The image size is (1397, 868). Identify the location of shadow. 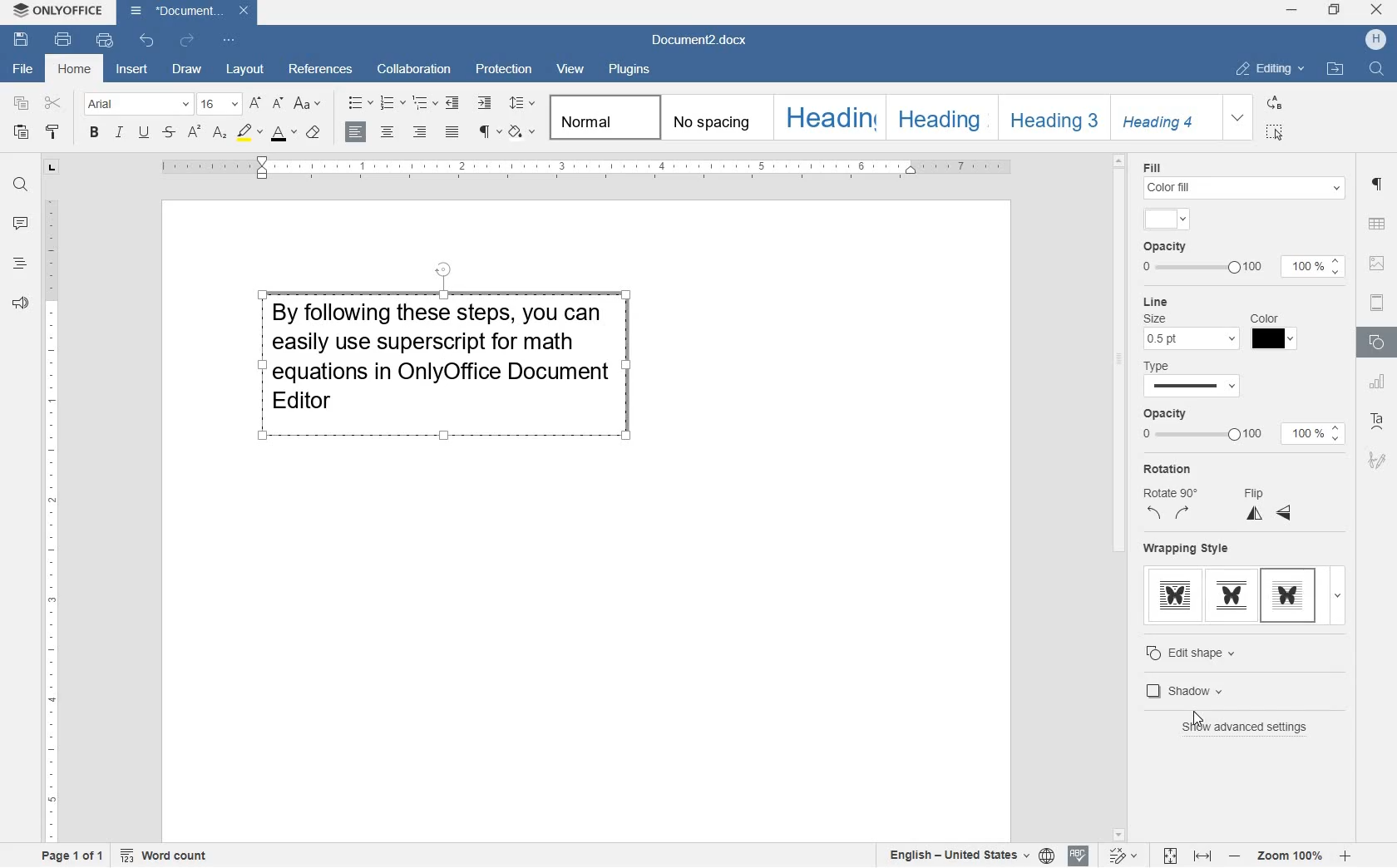
(1242, 692).